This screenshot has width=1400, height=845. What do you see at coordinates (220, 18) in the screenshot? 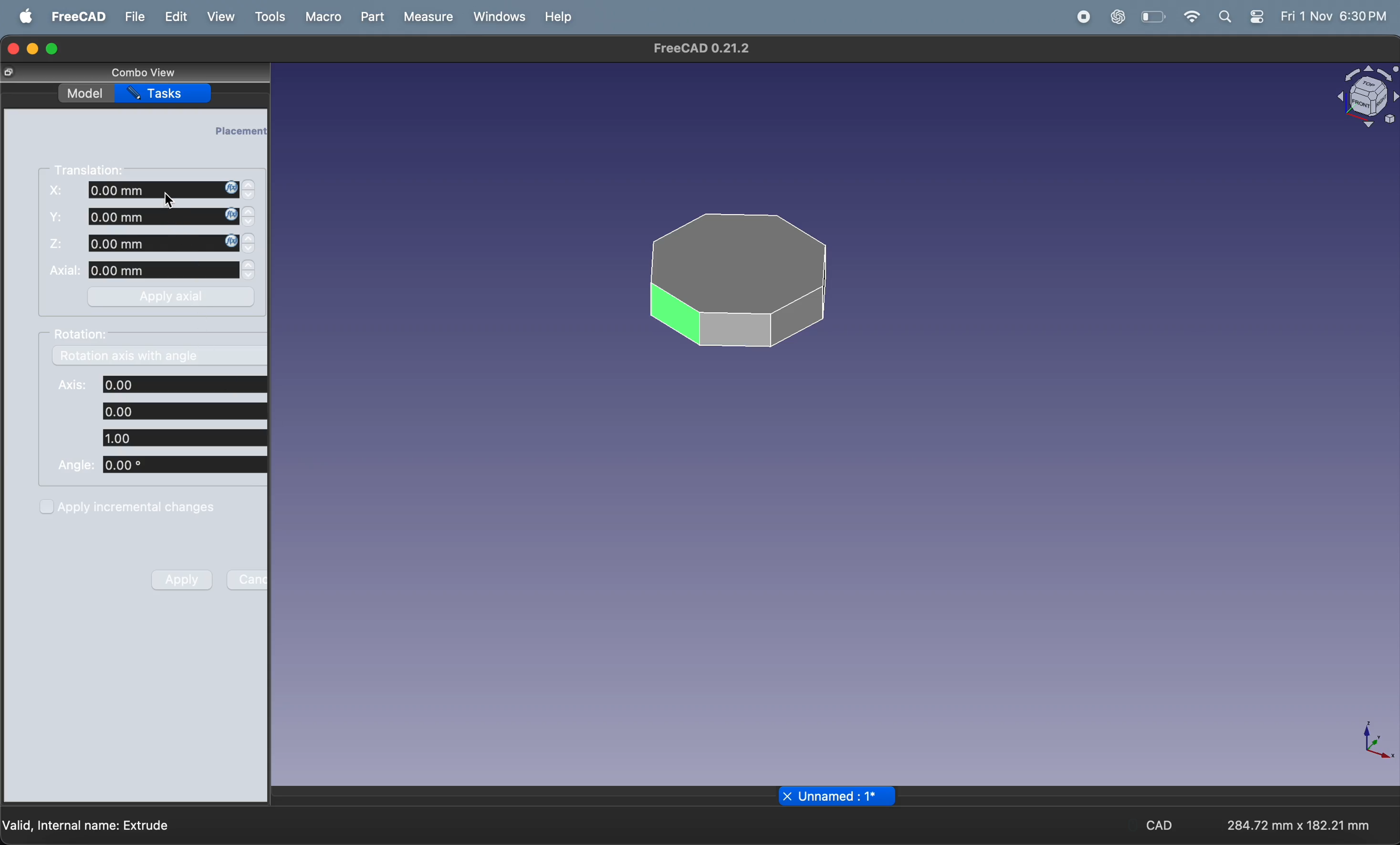
I see `view` at bounding box center [220, 18].